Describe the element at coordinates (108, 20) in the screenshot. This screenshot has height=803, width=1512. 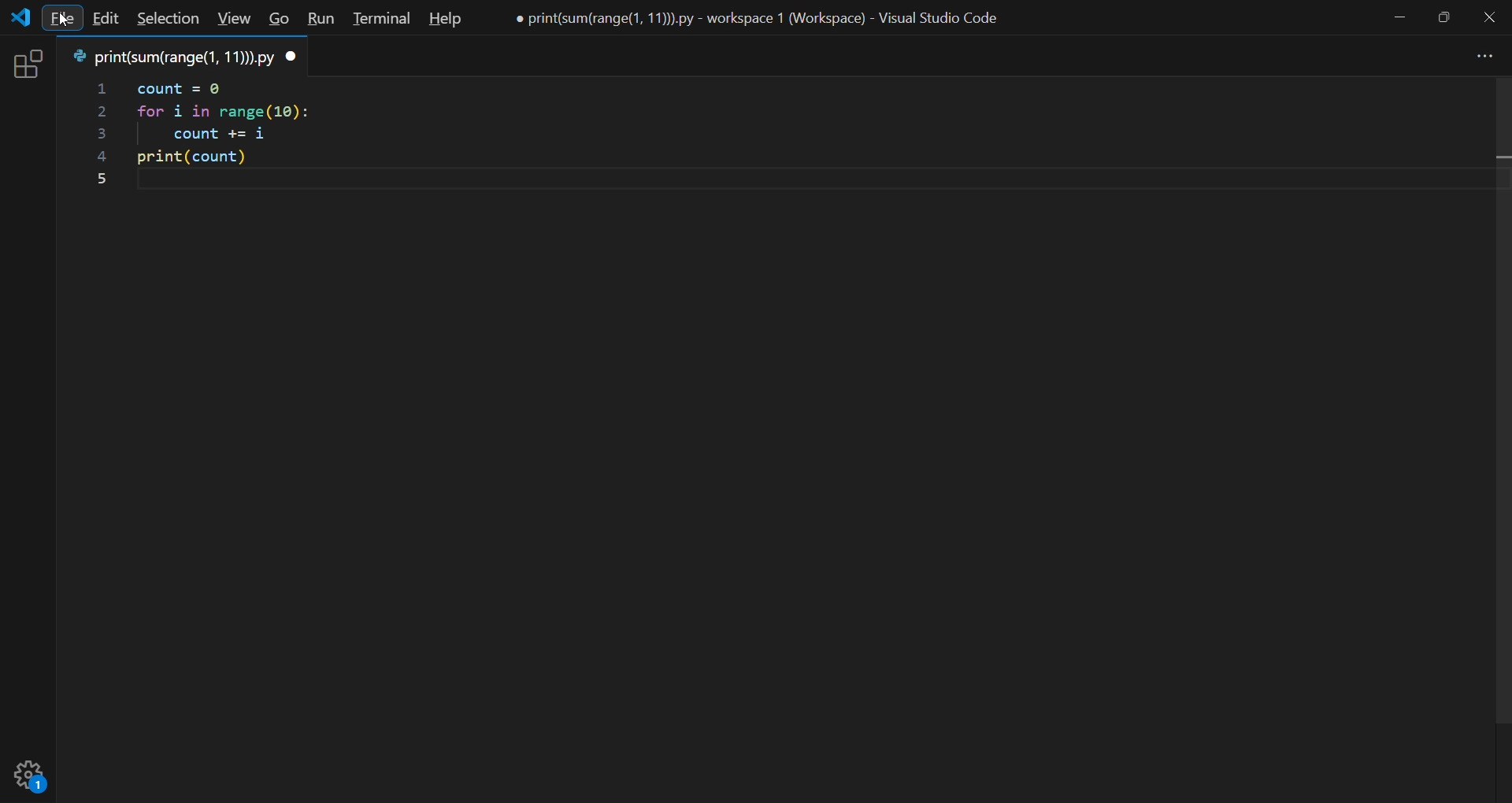
I see `edit` at that location.